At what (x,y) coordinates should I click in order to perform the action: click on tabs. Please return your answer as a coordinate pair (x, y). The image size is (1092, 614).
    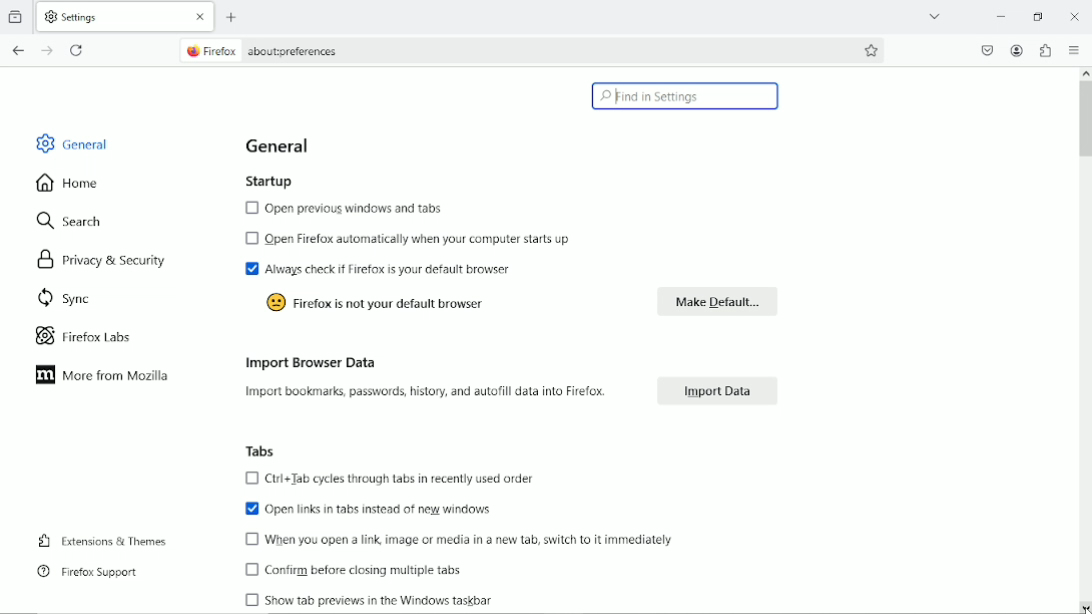
    Looking at the image, I should click on (262, 451).